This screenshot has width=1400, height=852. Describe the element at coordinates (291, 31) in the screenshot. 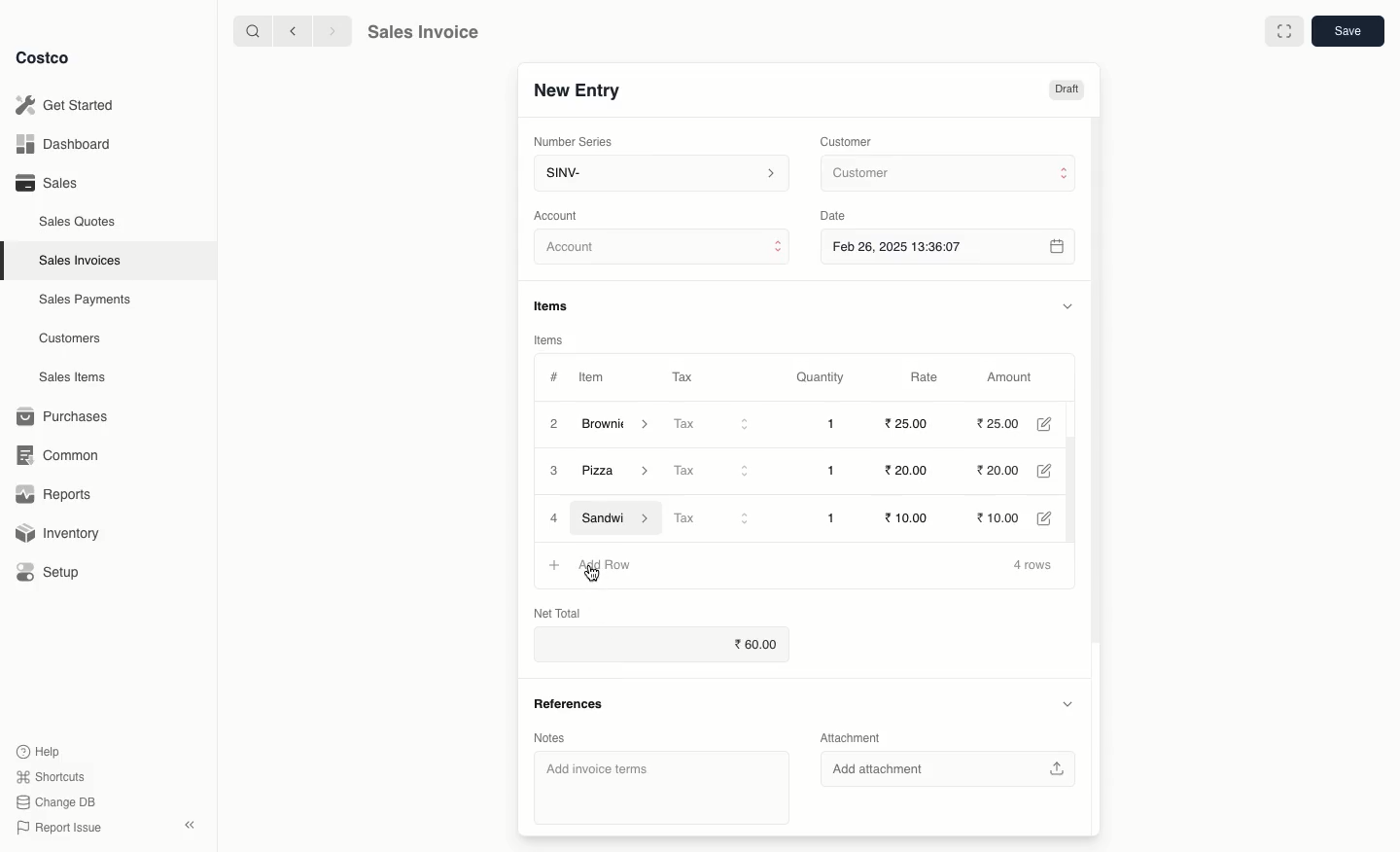

I see `Back` at that location.